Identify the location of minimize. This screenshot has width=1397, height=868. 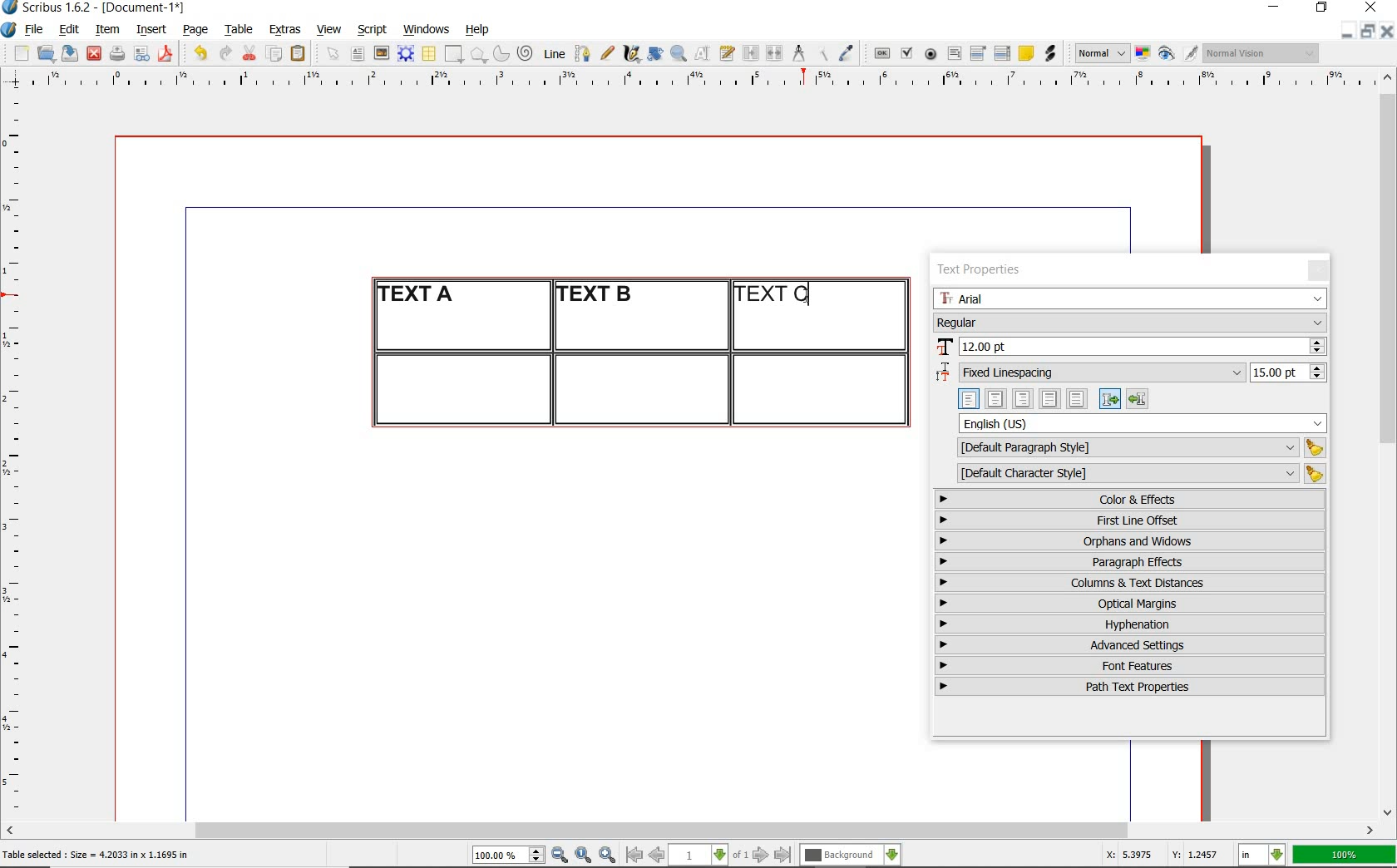
(1348, 30).